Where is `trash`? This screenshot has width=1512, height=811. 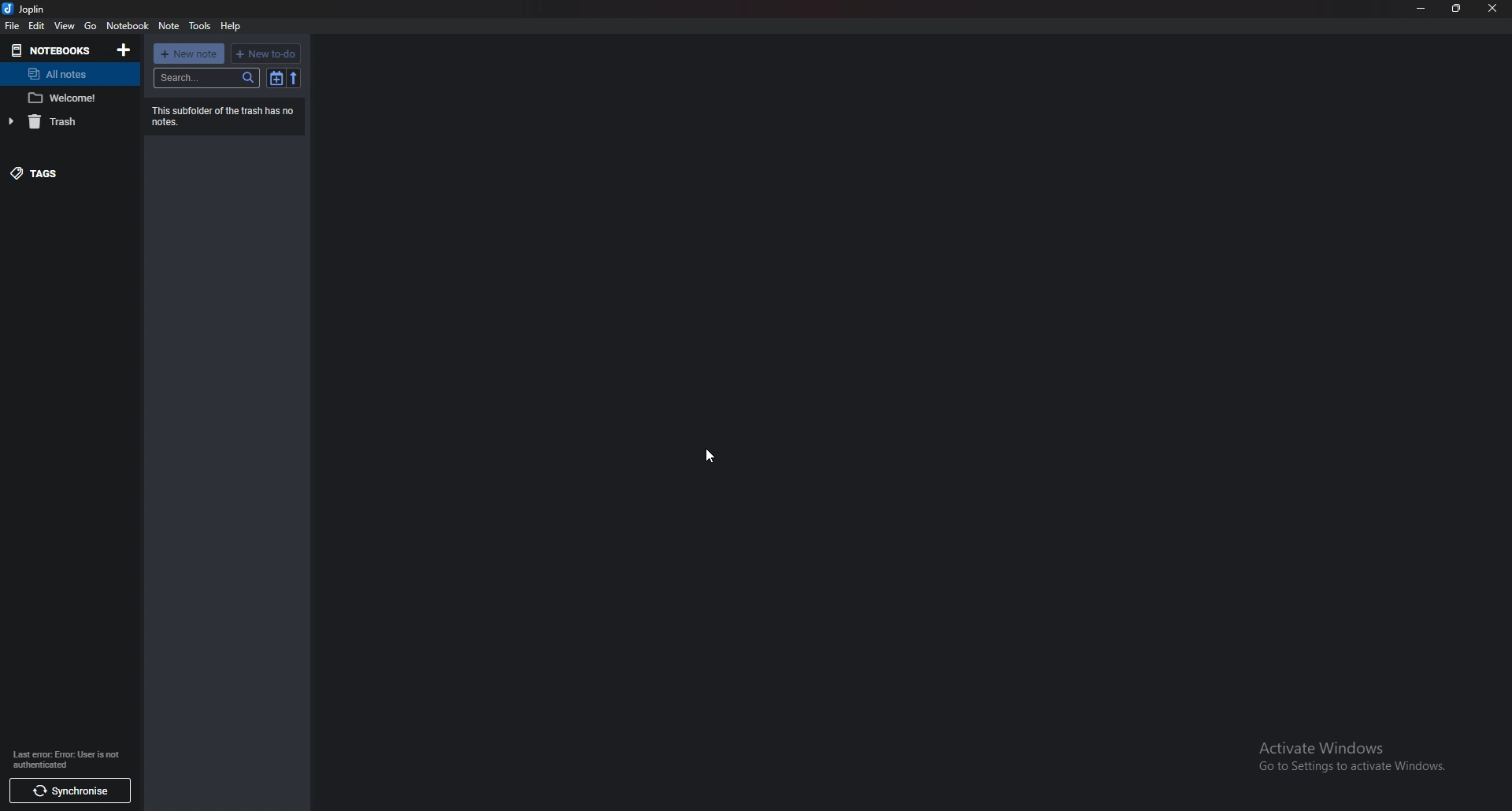
trash is located at coordinates (62, 123).